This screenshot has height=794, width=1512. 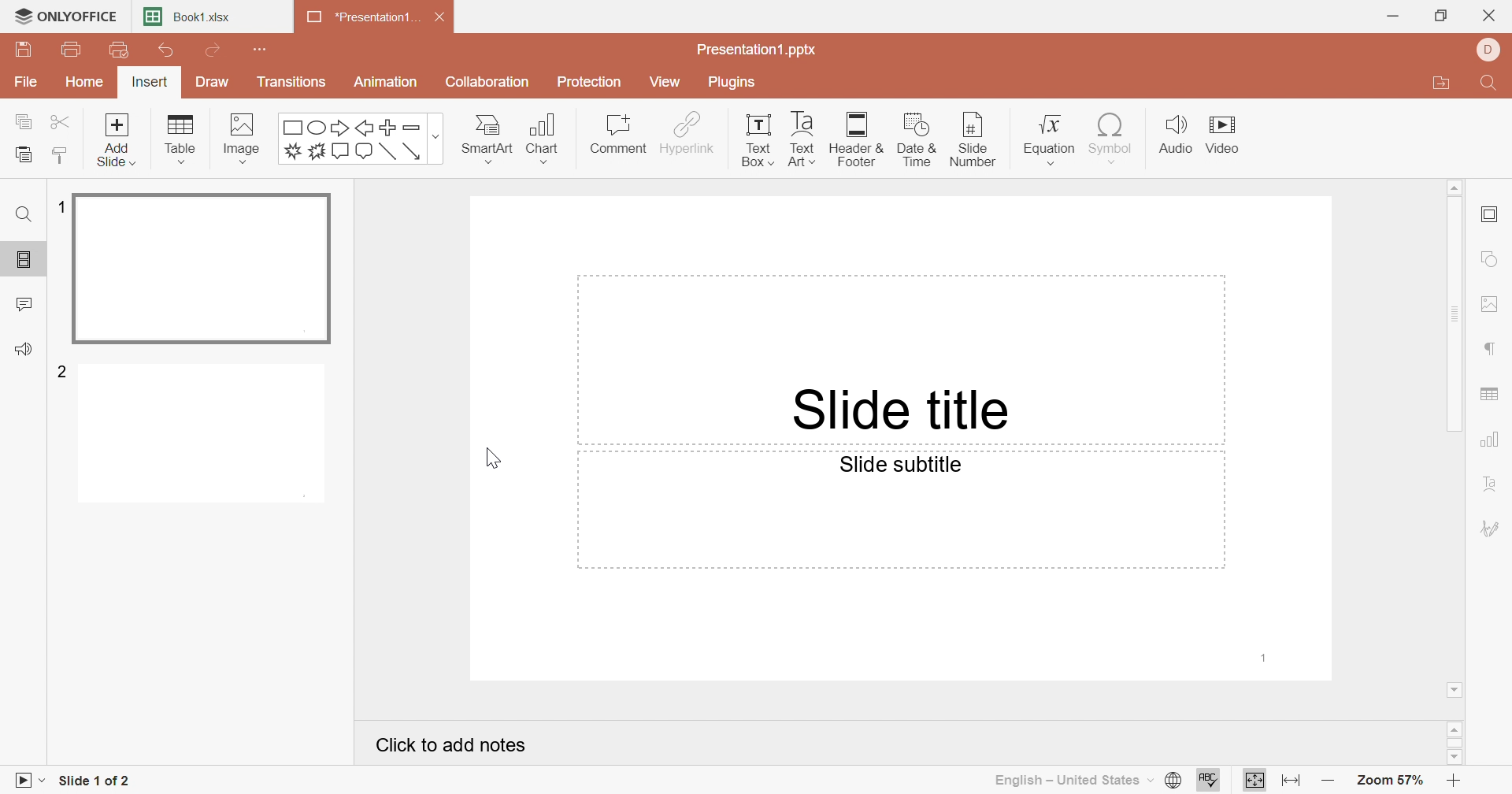 What do you see at coordinates (166, 54) in the screenshot?
I see `Undo` at bounding box center [166, 54].